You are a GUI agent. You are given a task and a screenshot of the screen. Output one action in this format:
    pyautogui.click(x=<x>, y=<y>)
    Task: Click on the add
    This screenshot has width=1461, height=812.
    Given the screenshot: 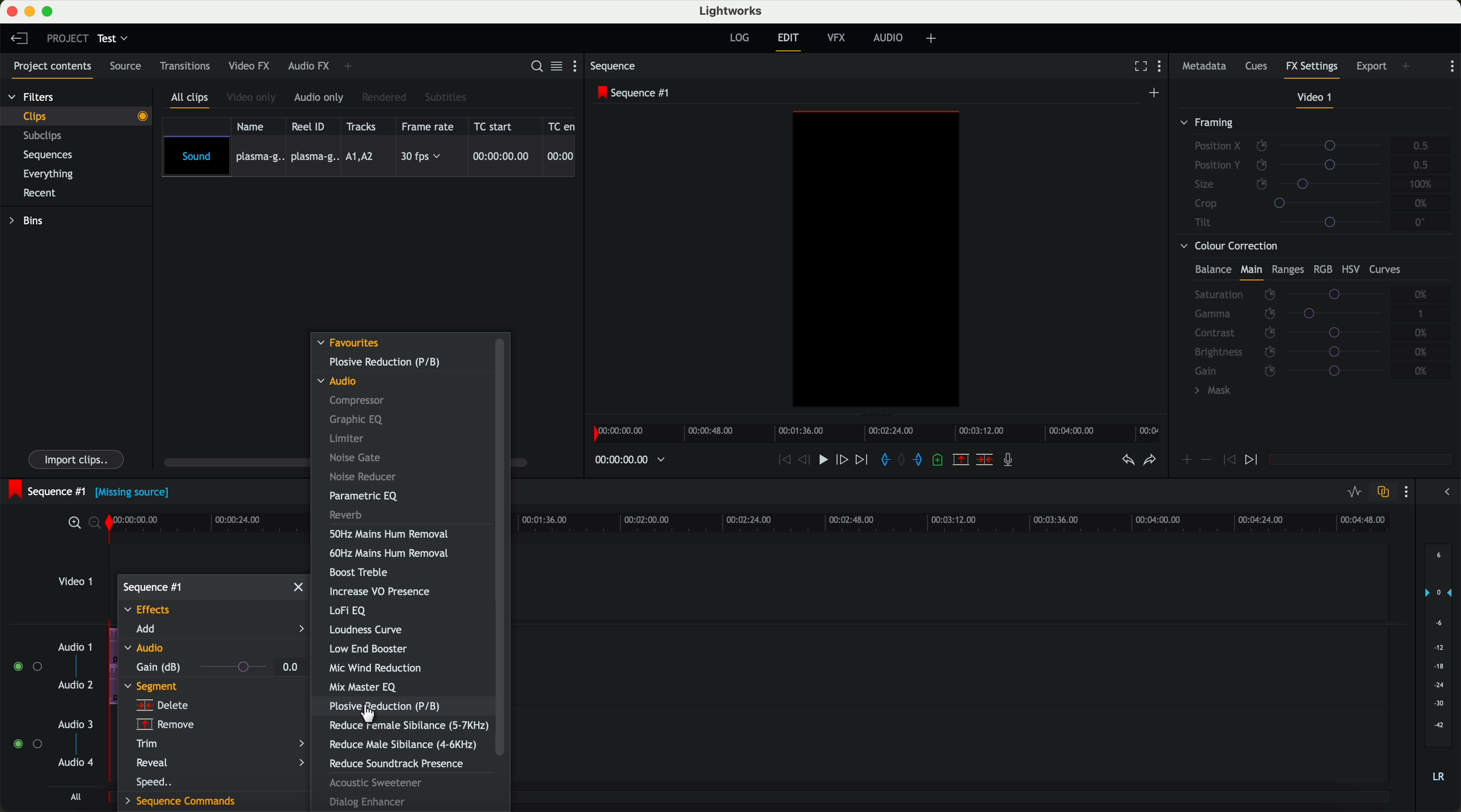 What is the action you would take?
    pyautogui.click(x=933, y=39)
    